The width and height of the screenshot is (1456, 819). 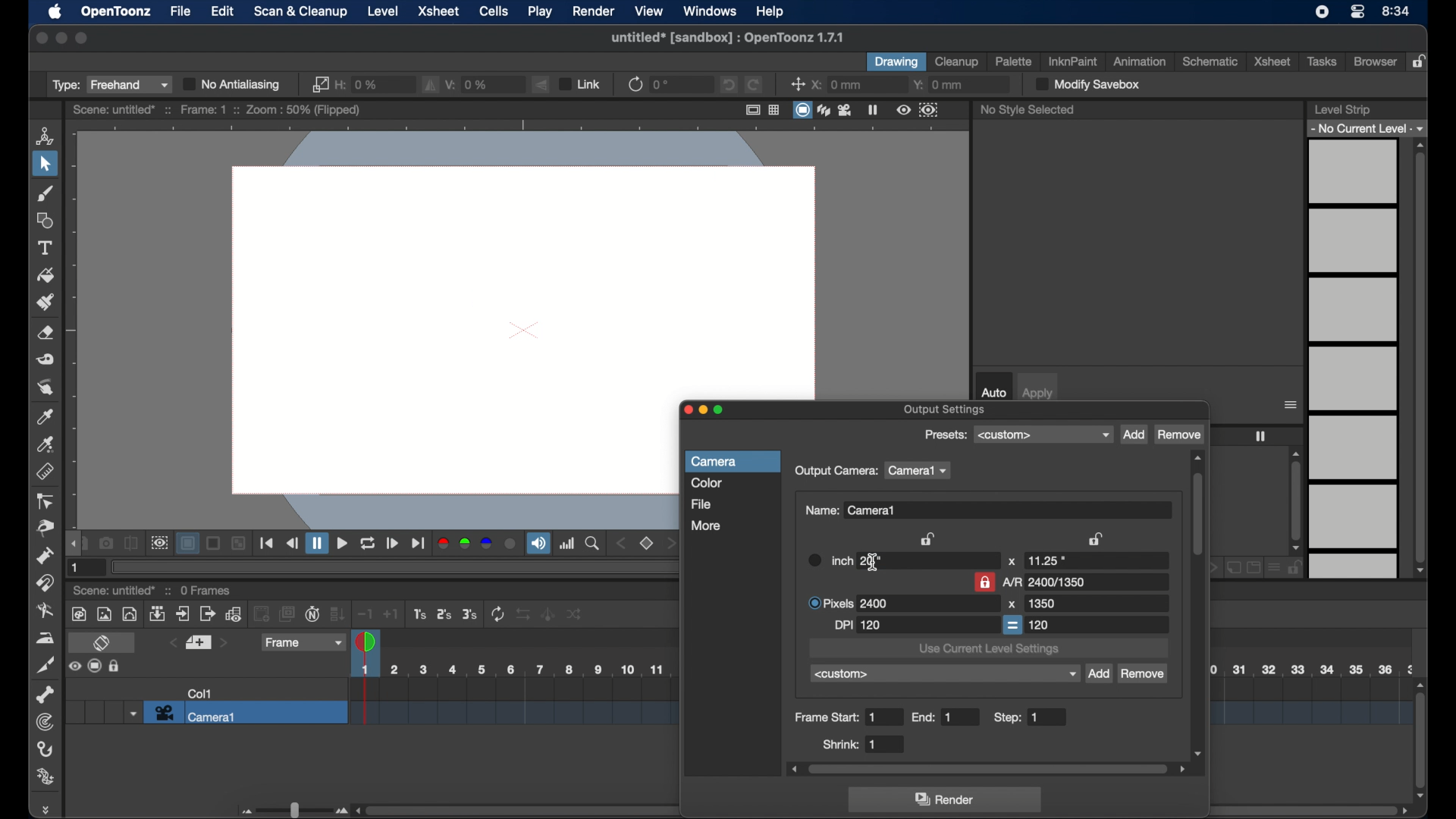 I want to click on palette, so click(x=1014, y=61).